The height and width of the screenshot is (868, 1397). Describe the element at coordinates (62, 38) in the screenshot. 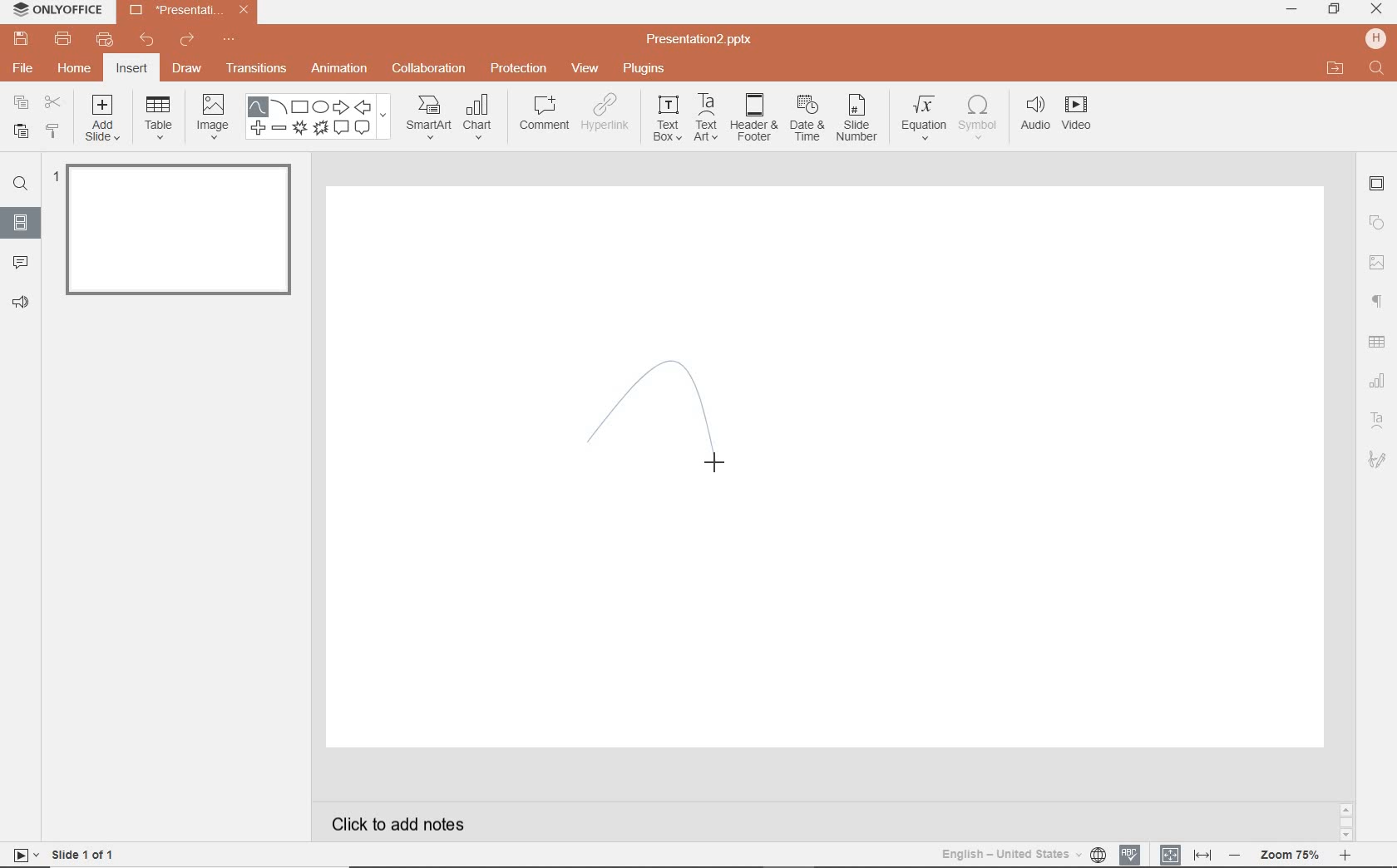

I see `PRINT` at that location.